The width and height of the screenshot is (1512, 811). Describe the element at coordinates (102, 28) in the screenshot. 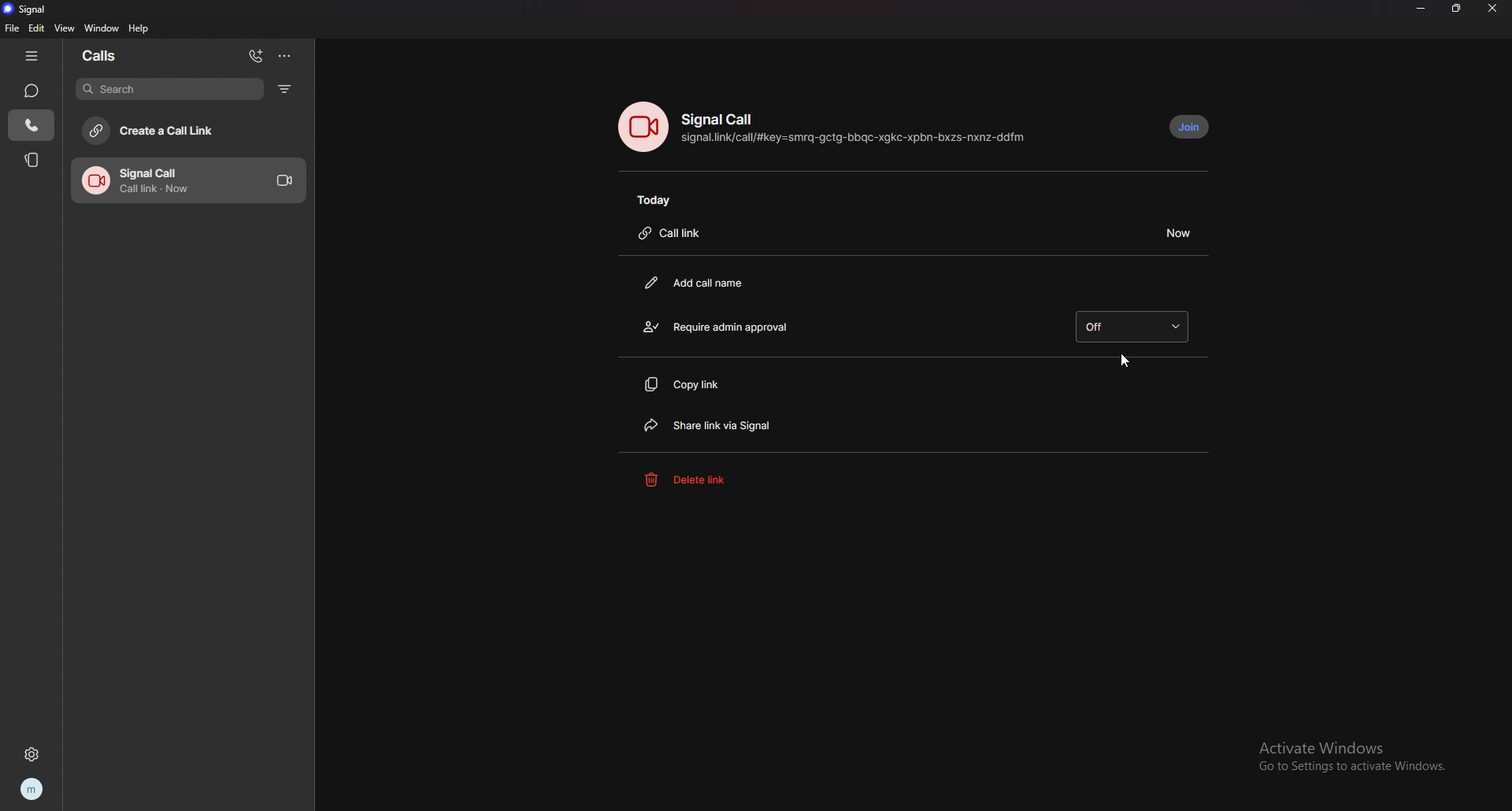

I see `window` at that location.